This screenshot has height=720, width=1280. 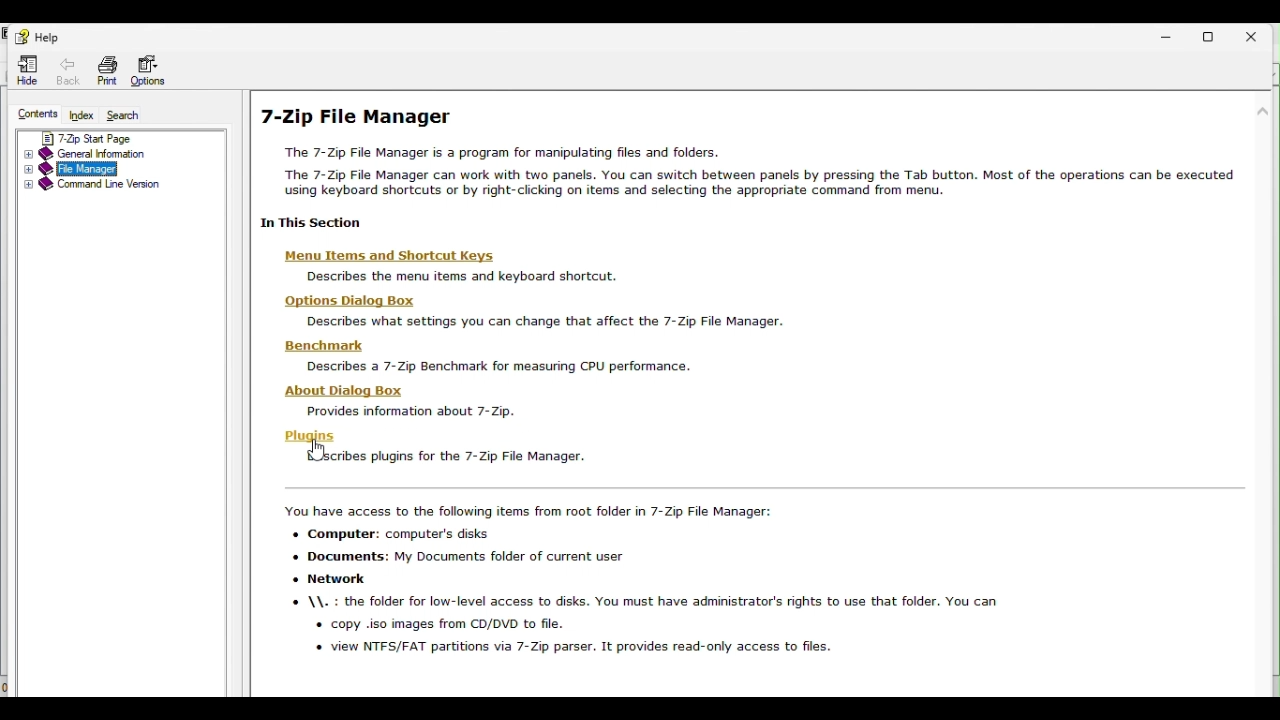 What do you see at coordinates (112, 169) in the screenshot?
I see `File manager` at bounding box center [112, 169].